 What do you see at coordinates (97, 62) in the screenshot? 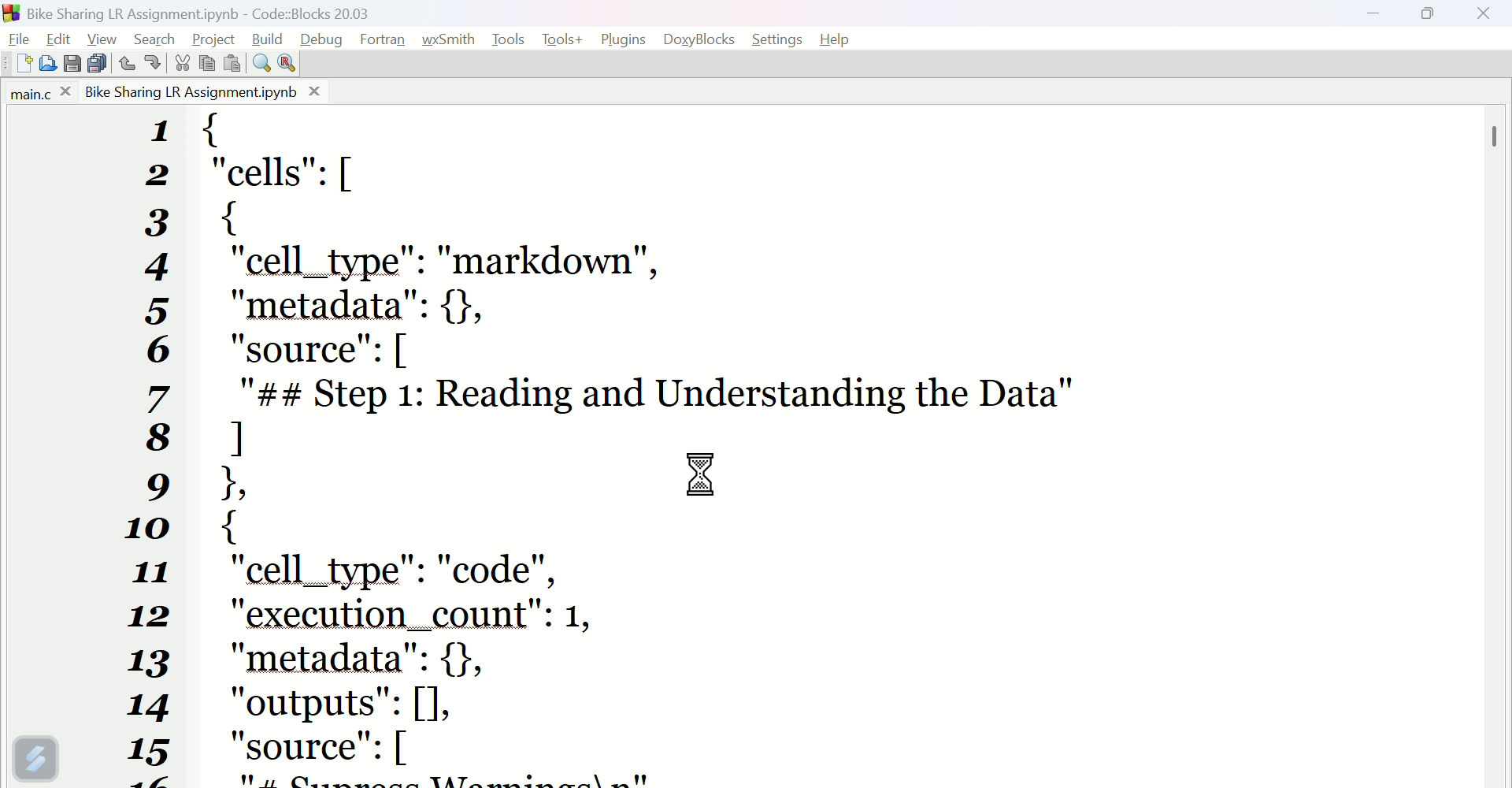
I see `Save all` at bounding box center [97, 62].